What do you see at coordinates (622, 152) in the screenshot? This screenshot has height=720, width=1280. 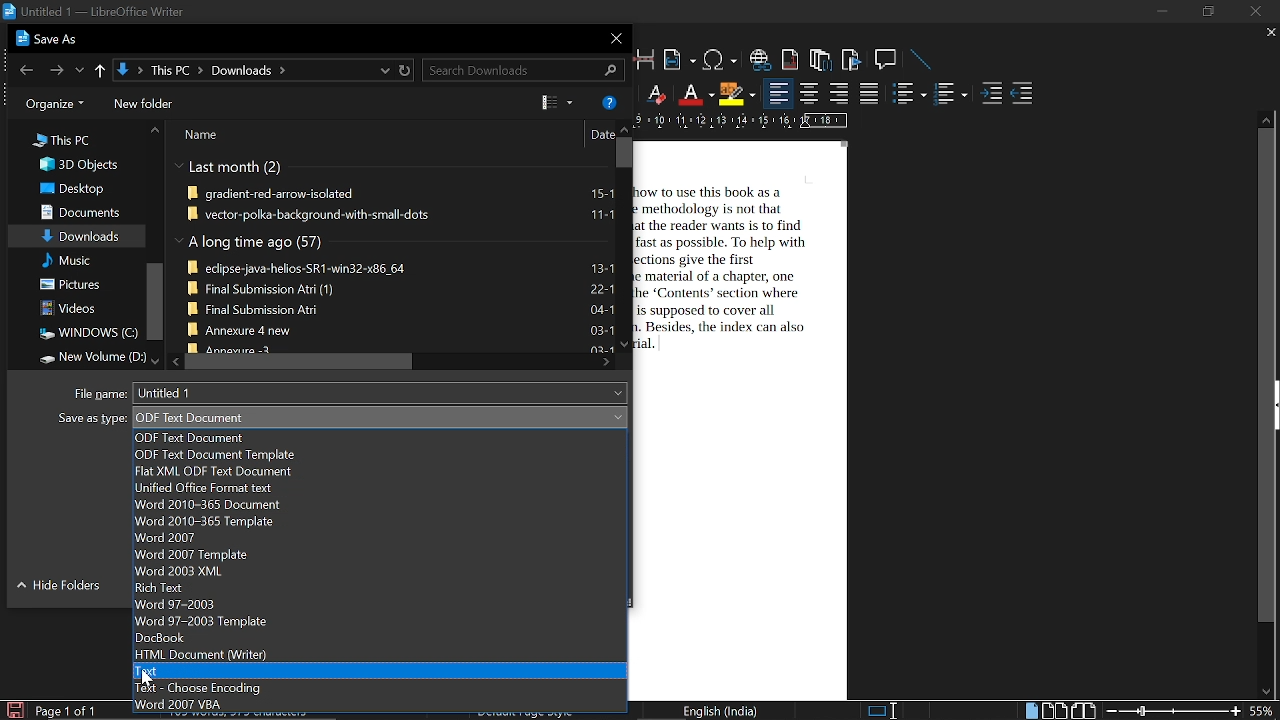 I see `vertical scrollbar` at bounding box center [622, 152].